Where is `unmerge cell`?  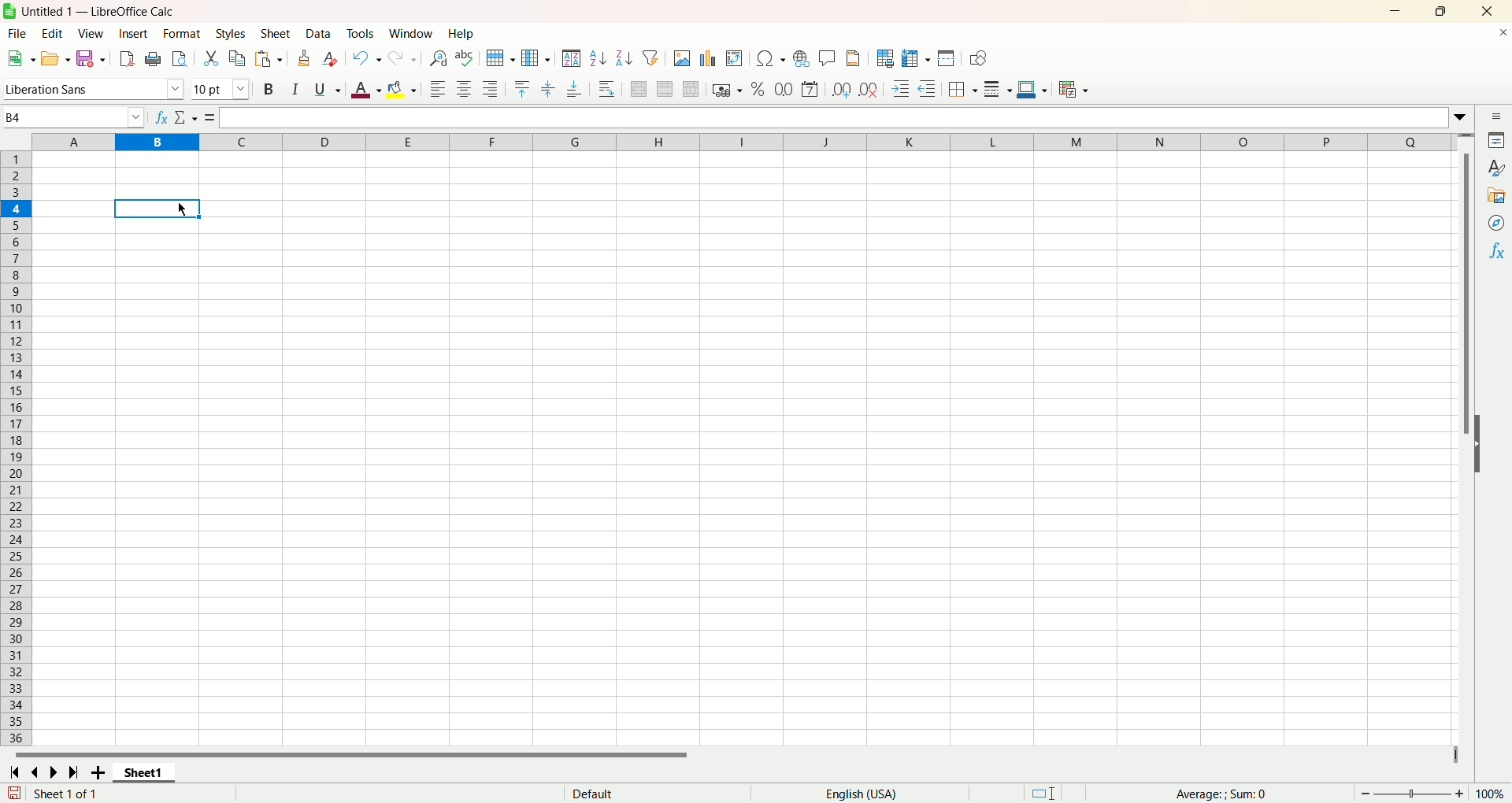
unmerge cell is located at coordinates (691, 90).